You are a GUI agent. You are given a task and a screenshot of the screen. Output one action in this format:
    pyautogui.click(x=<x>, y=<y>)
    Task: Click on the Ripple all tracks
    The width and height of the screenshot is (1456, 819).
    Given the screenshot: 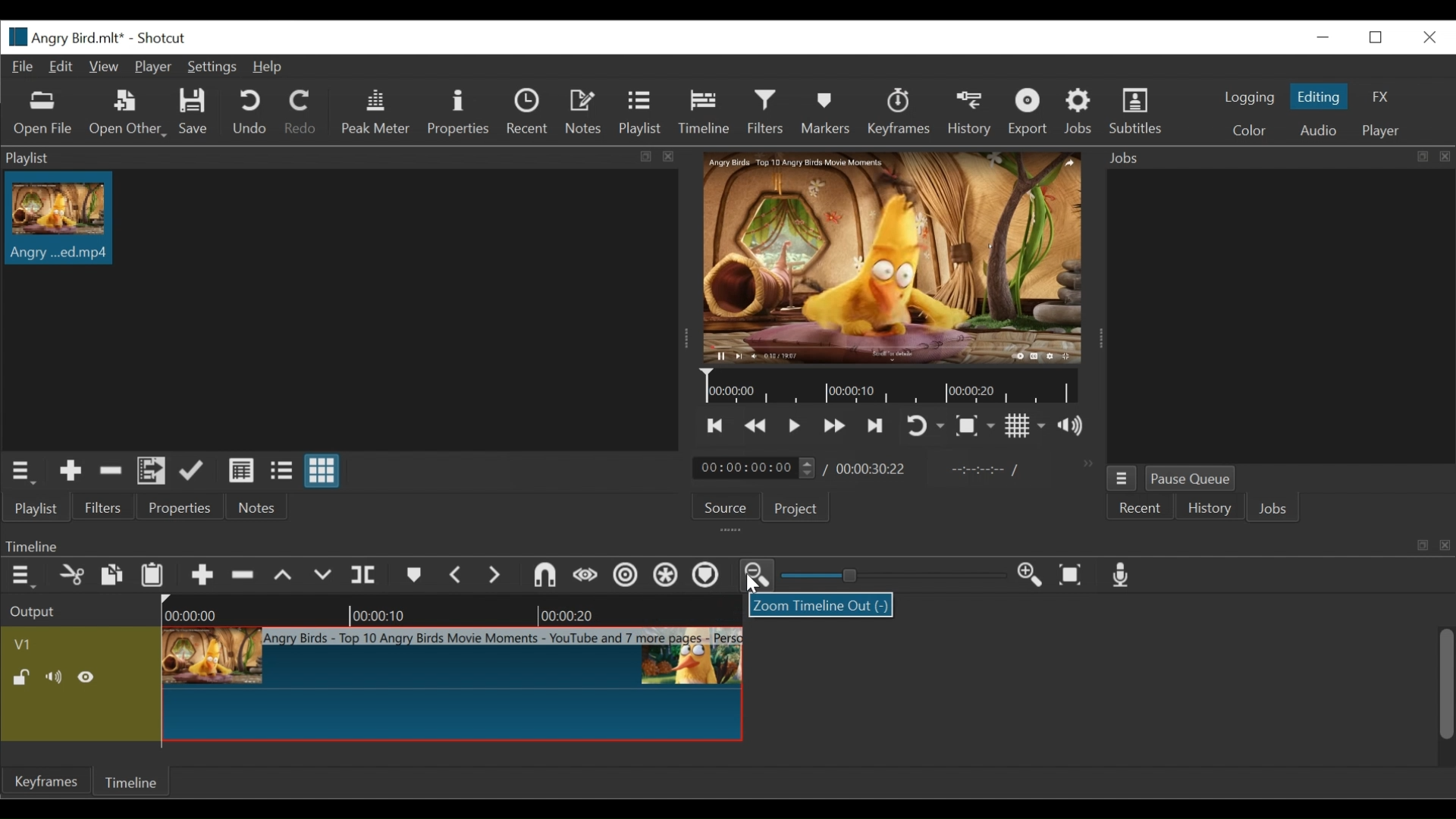 What is the action you would take?
    pyautogui.click(x=667, y=576)
    